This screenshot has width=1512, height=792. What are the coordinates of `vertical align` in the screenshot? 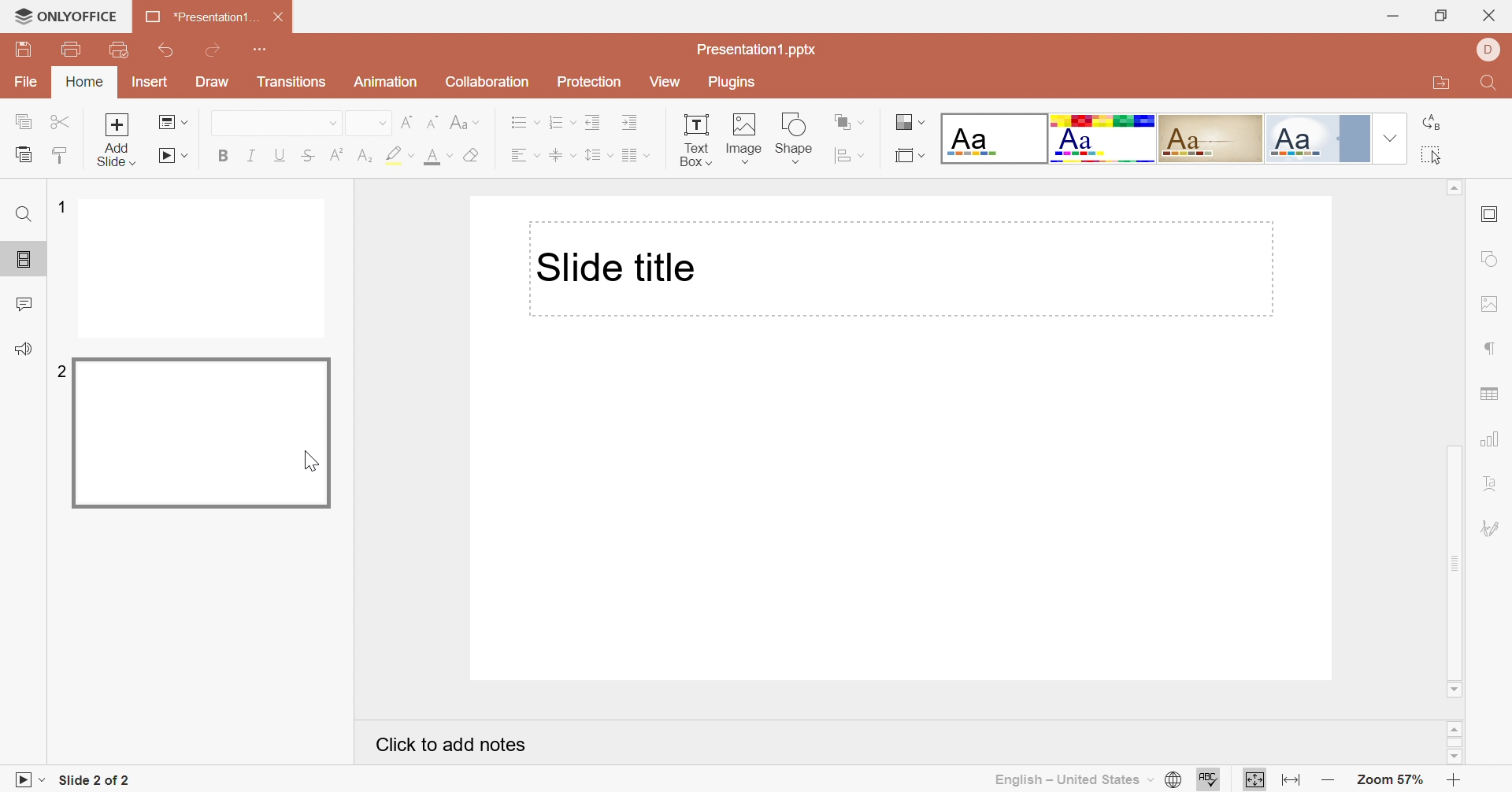 It's located at (563, 154).